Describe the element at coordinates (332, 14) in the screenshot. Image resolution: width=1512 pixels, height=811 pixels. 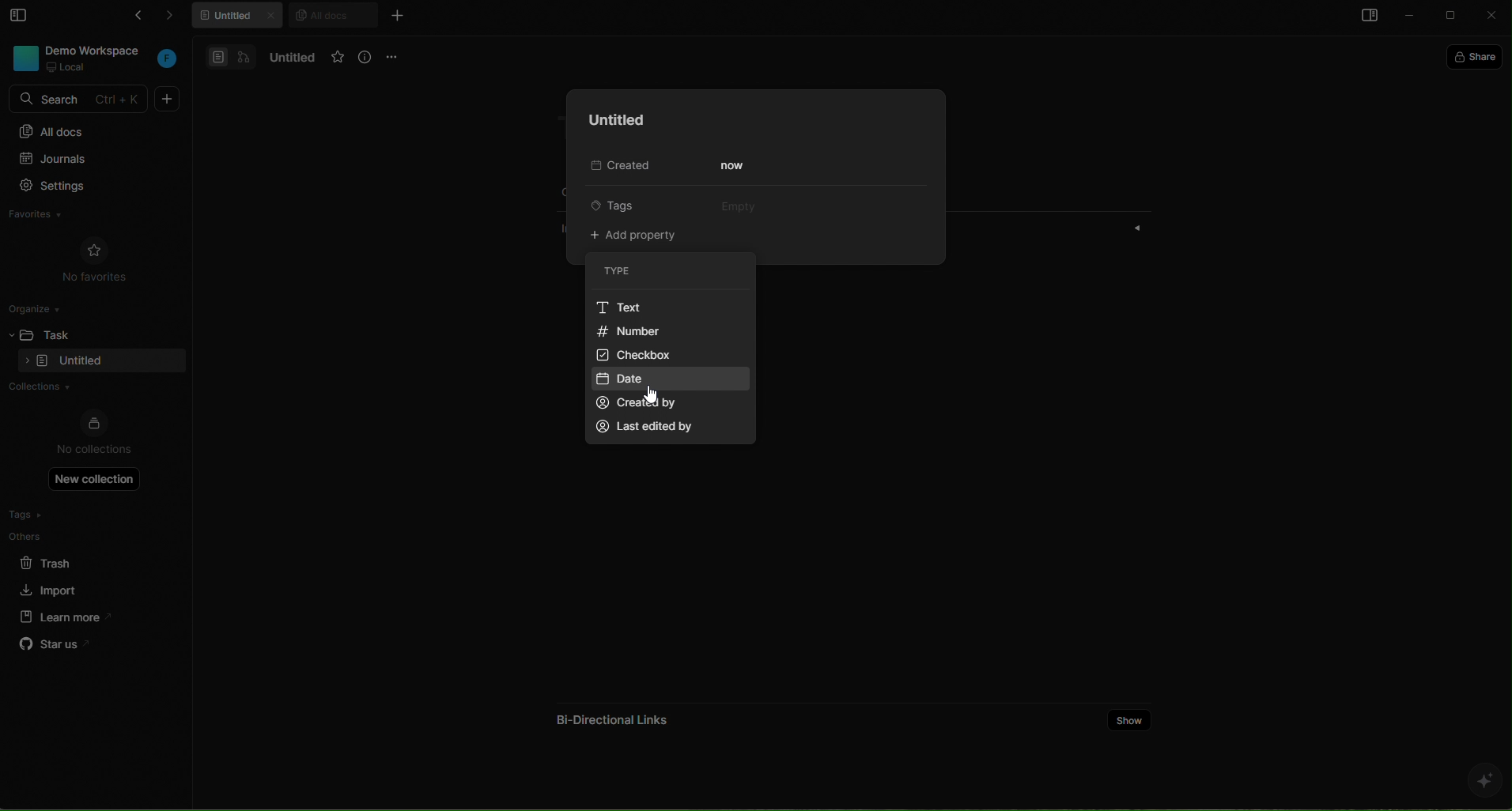
I see `all docs` at that location.